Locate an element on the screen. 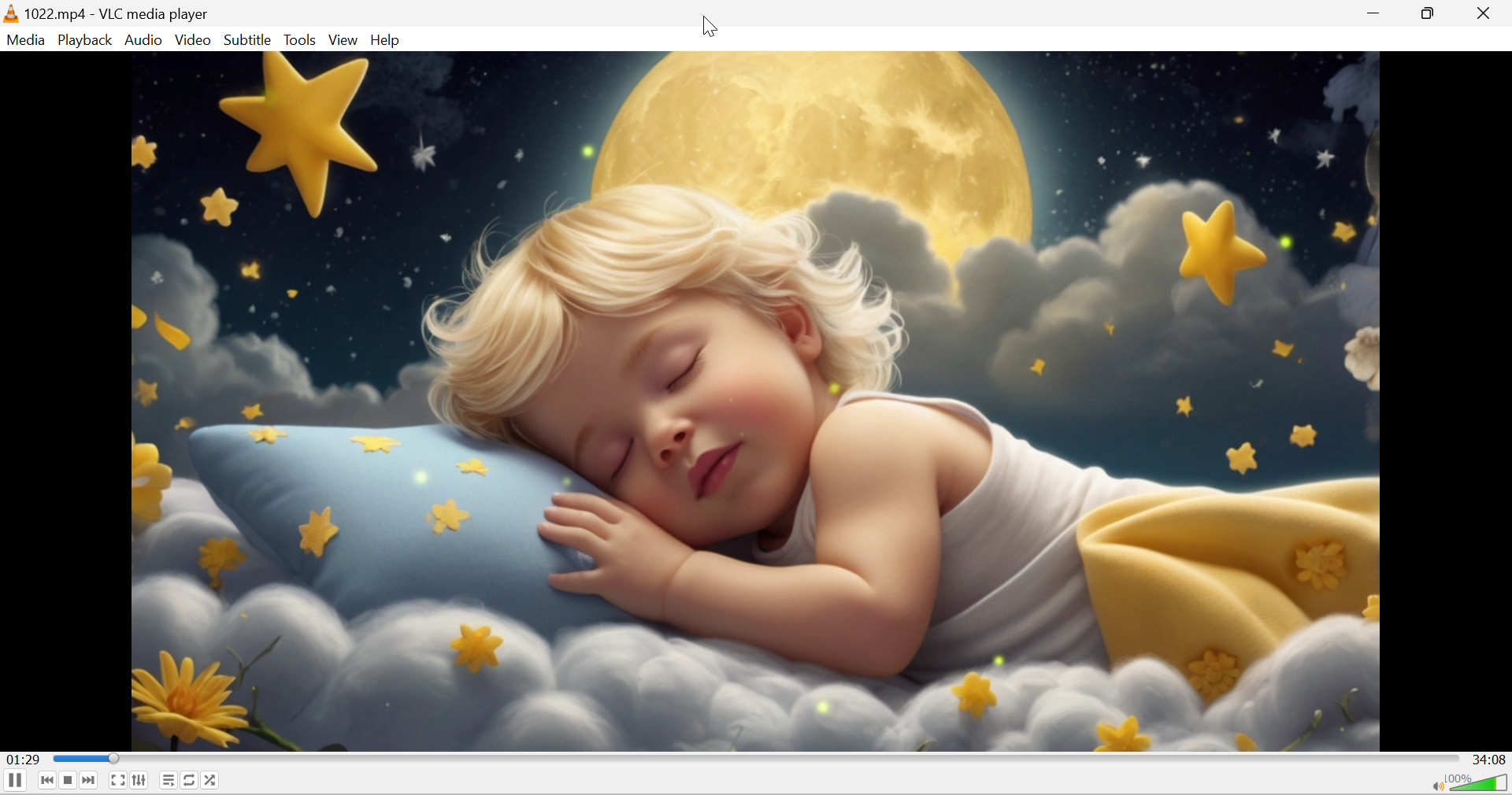 This screenshot has height=795, width=1512. Show extended settings is located at coordinates (142, 780).